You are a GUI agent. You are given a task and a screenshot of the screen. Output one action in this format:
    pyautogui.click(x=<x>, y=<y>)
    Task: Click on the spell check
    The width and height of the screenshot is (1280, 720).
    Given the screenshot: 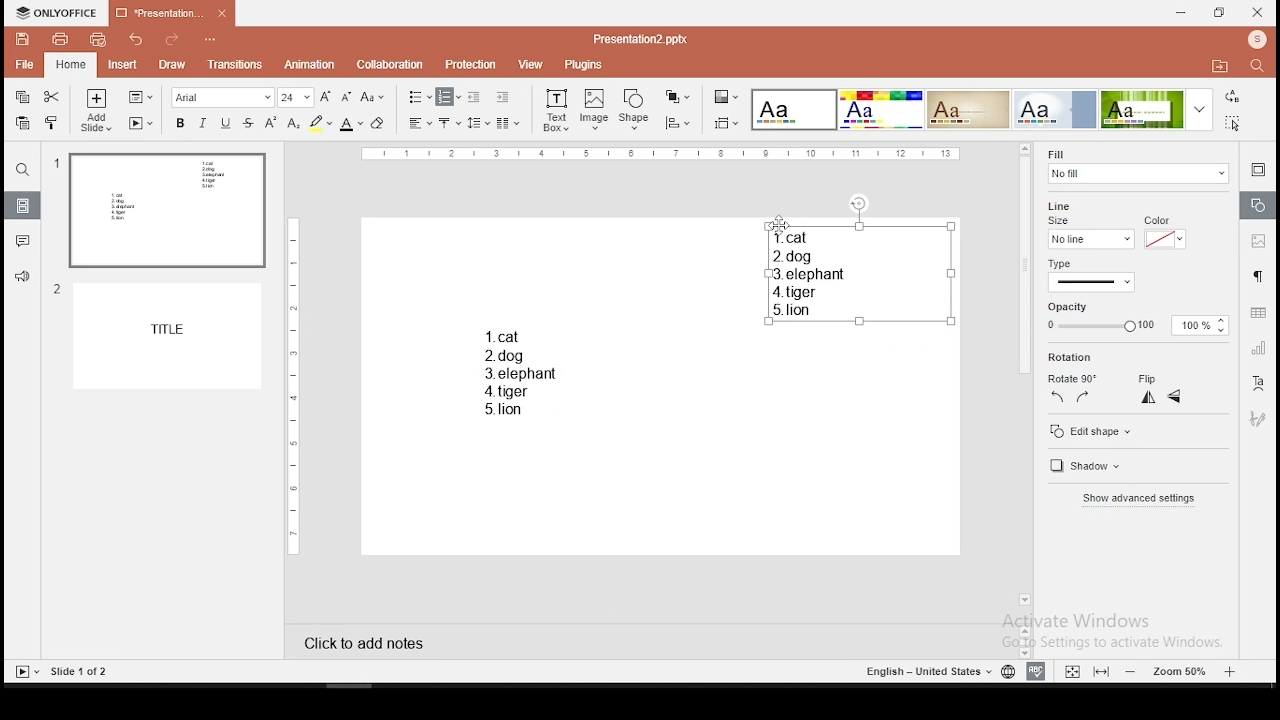 What is the action you would take?
    pyautogui.click(x=1037, y=671)
    